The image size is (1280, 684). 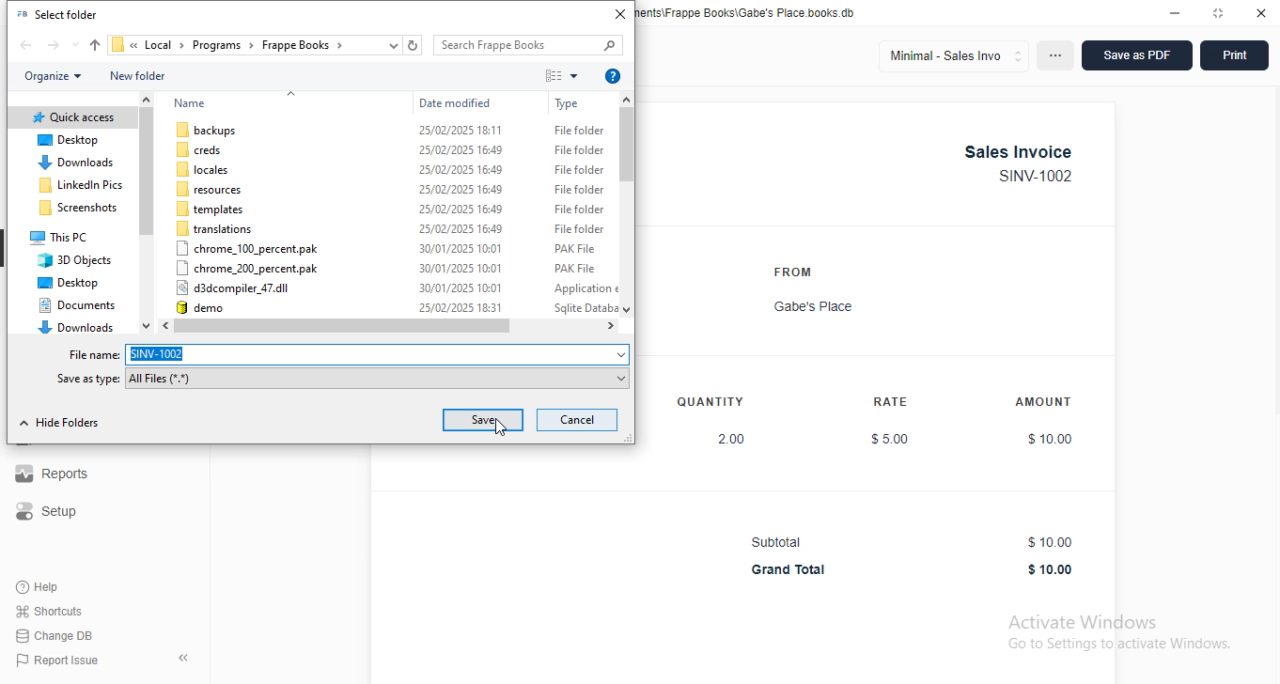 What do you see at coordinates (26, 45) in the screenshot?
I see `back` at bounding box center [26, 45].